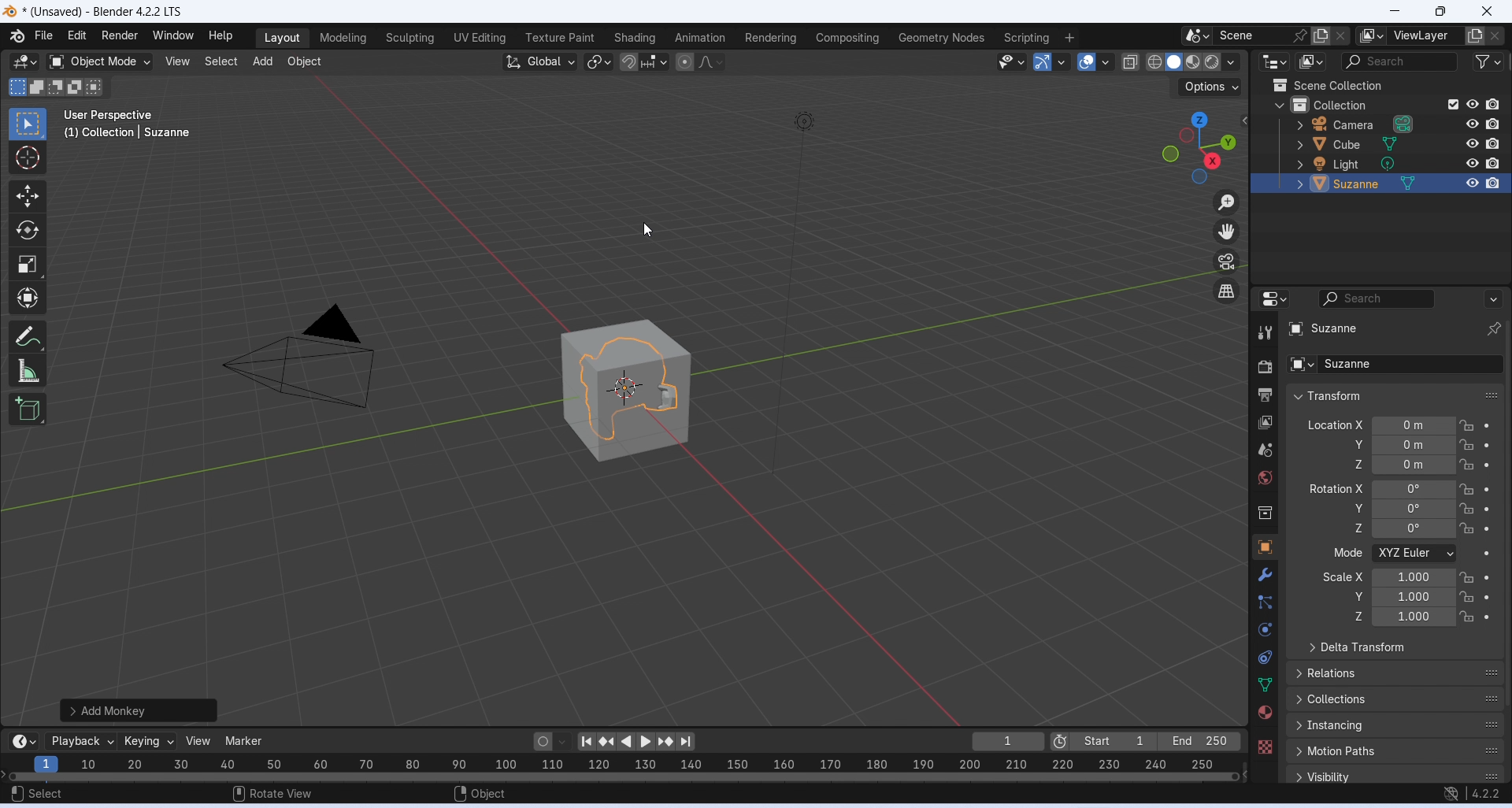 This screenshot has width=1512, height=808. I want to click on use right click for object, so click(480, 795).